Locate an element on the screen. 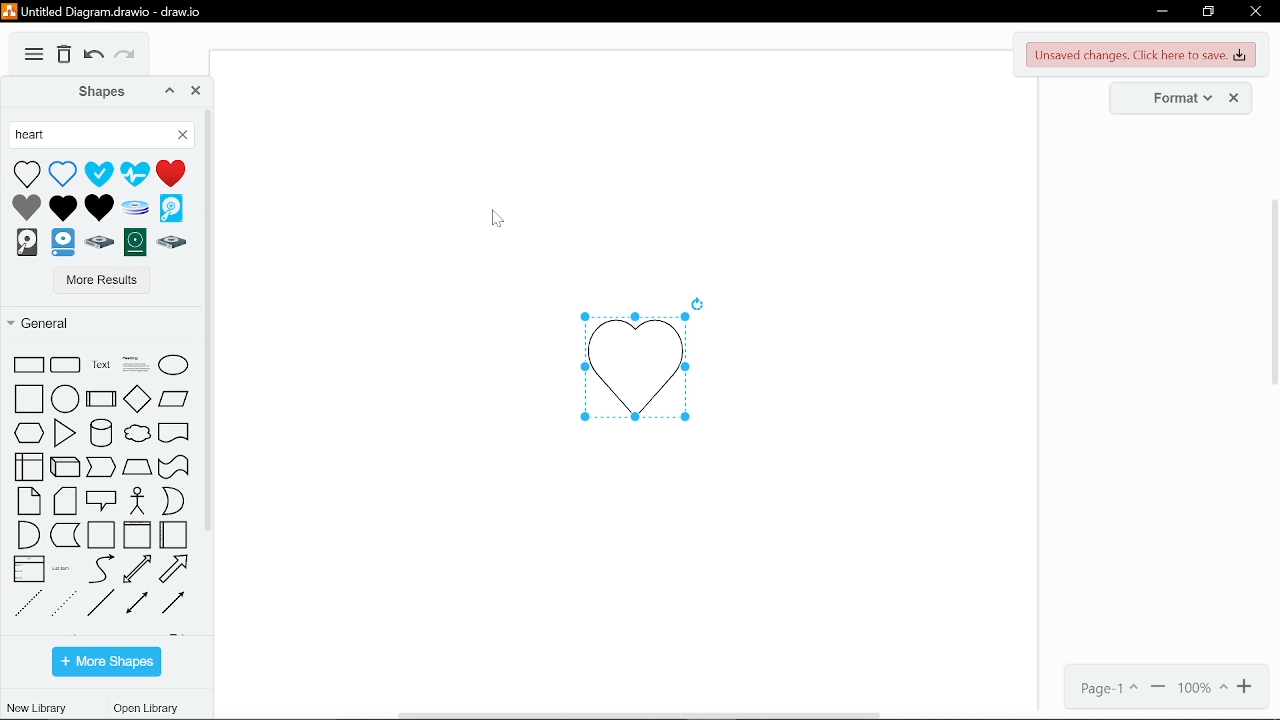  heading is located at coordinates (136, 366).